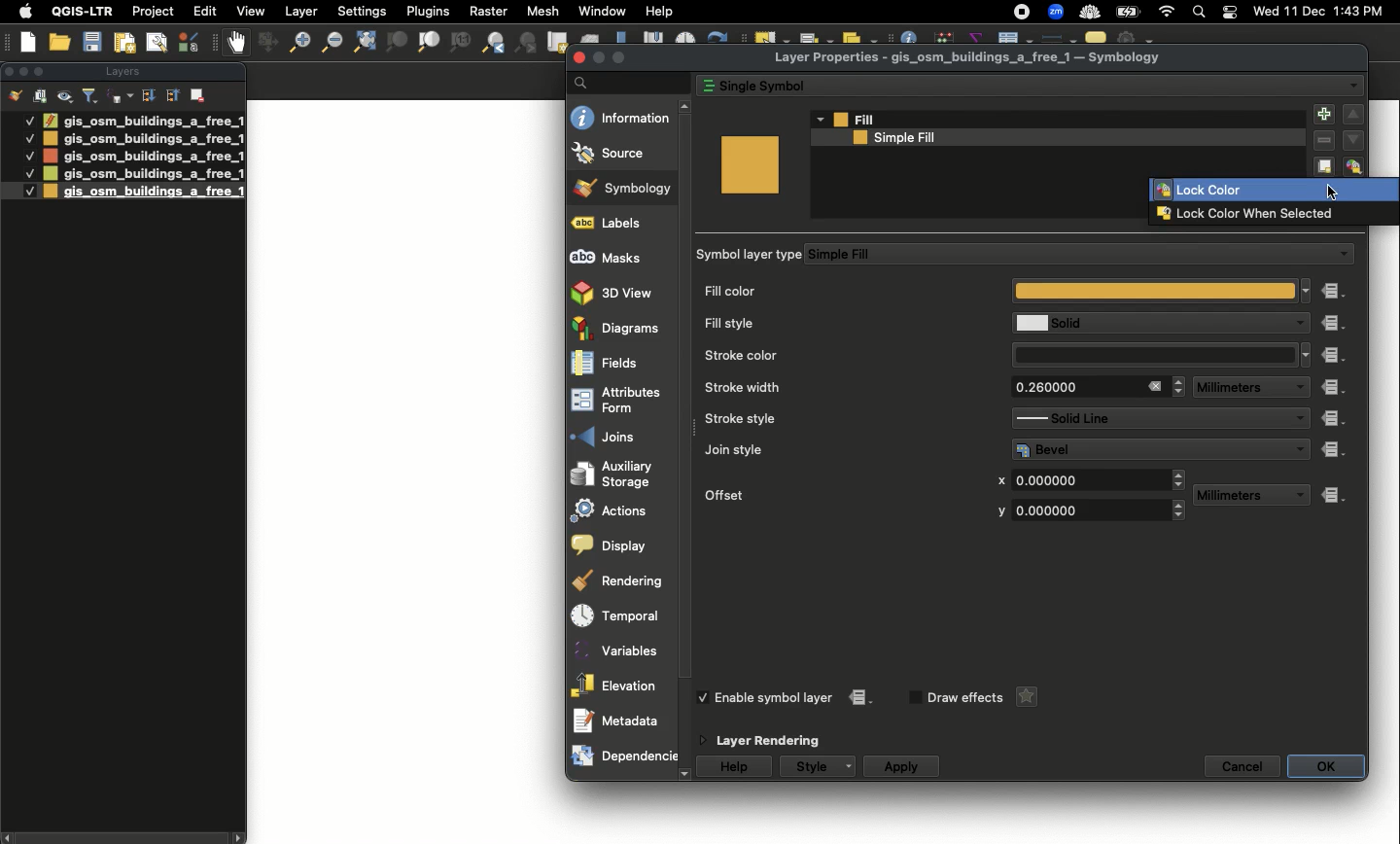 This screenshot has height=844, width=1400. I want to click on Layer panel, so click(121, 73).